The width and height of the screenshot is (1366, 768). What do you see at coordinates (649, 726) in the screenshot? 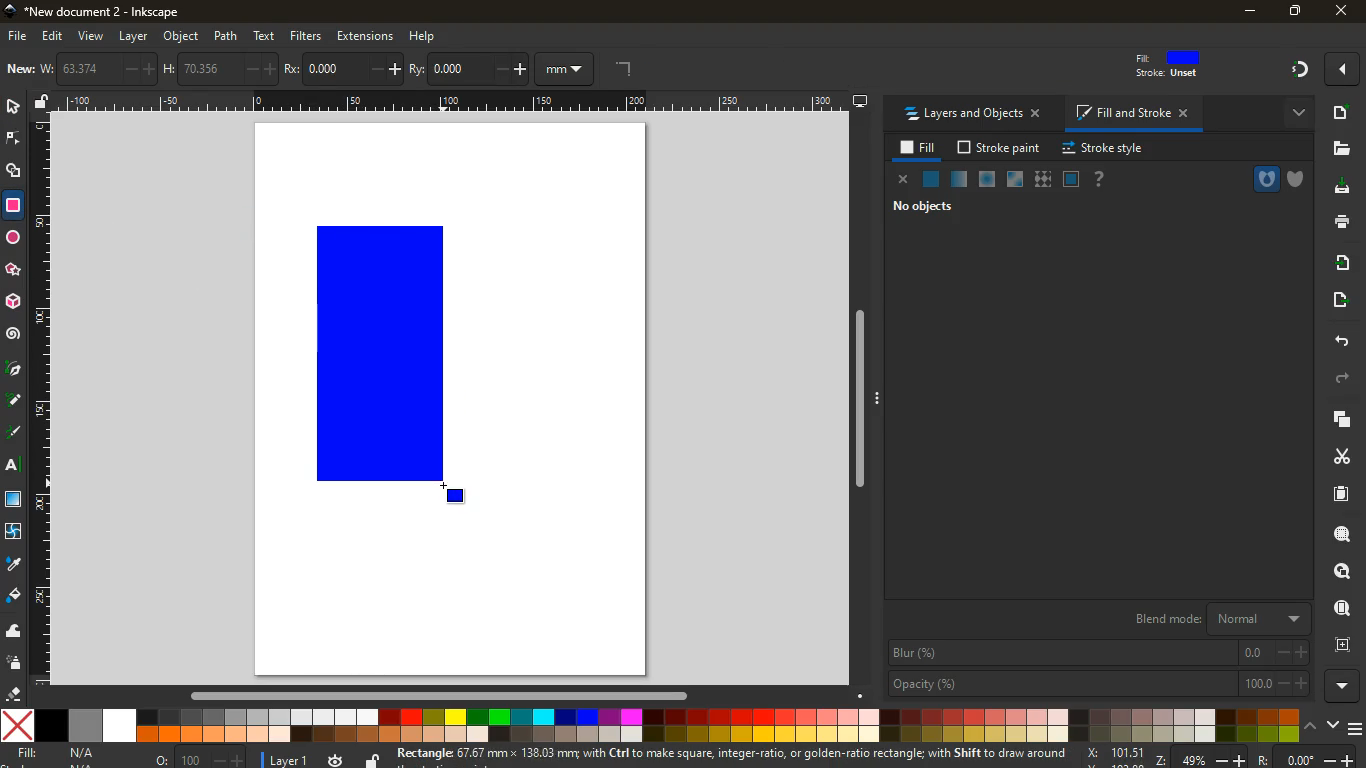
I see `colors` at bounding box center [649, 726].